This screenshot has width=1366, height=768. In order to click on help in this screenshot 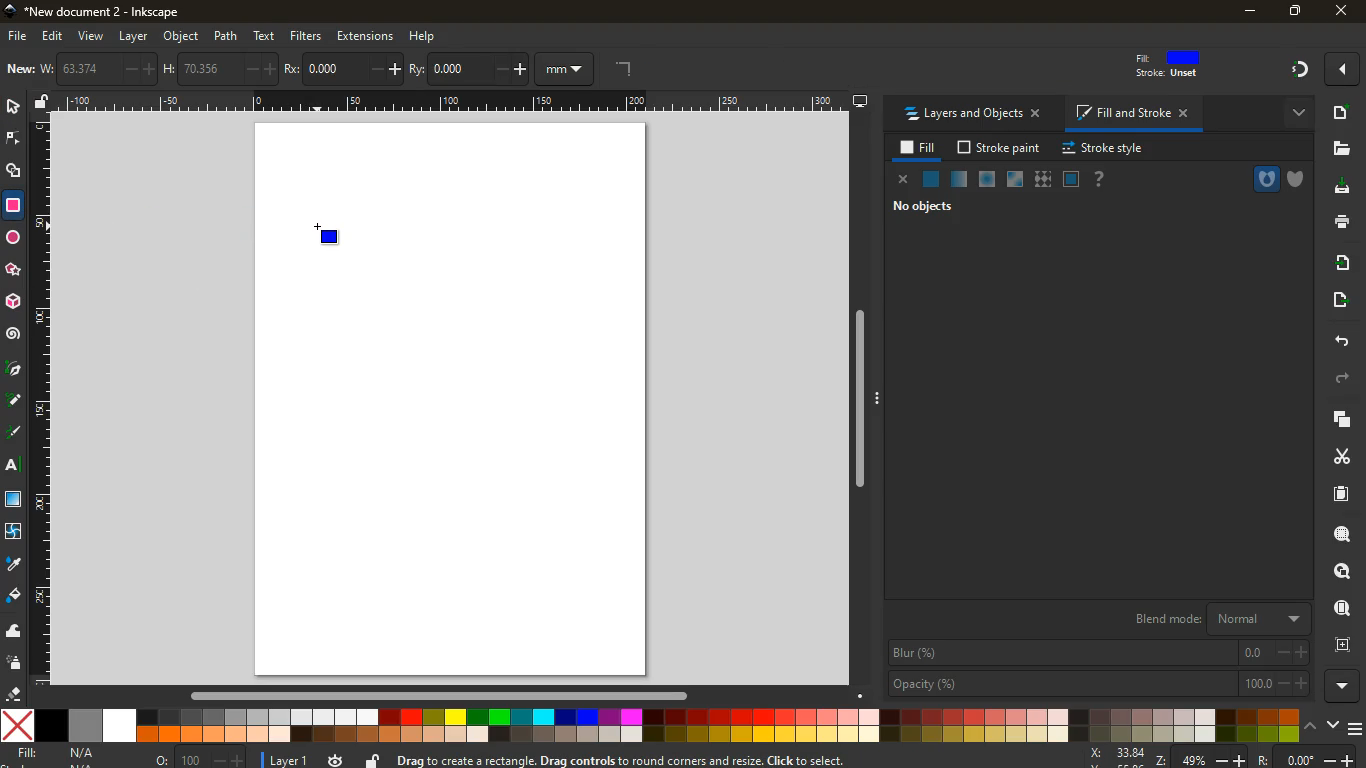, I will do `click(424, 37)`.